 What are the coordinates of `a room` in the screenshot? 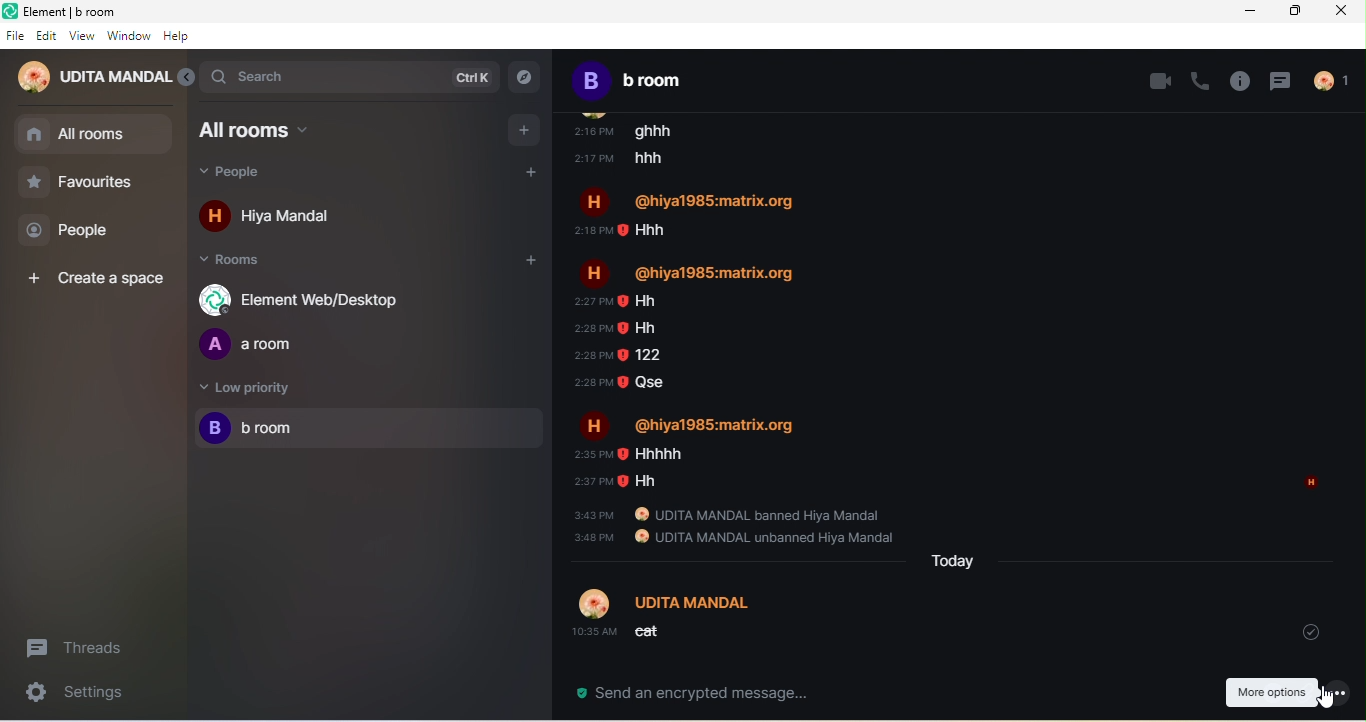 It's located at (257, 345).